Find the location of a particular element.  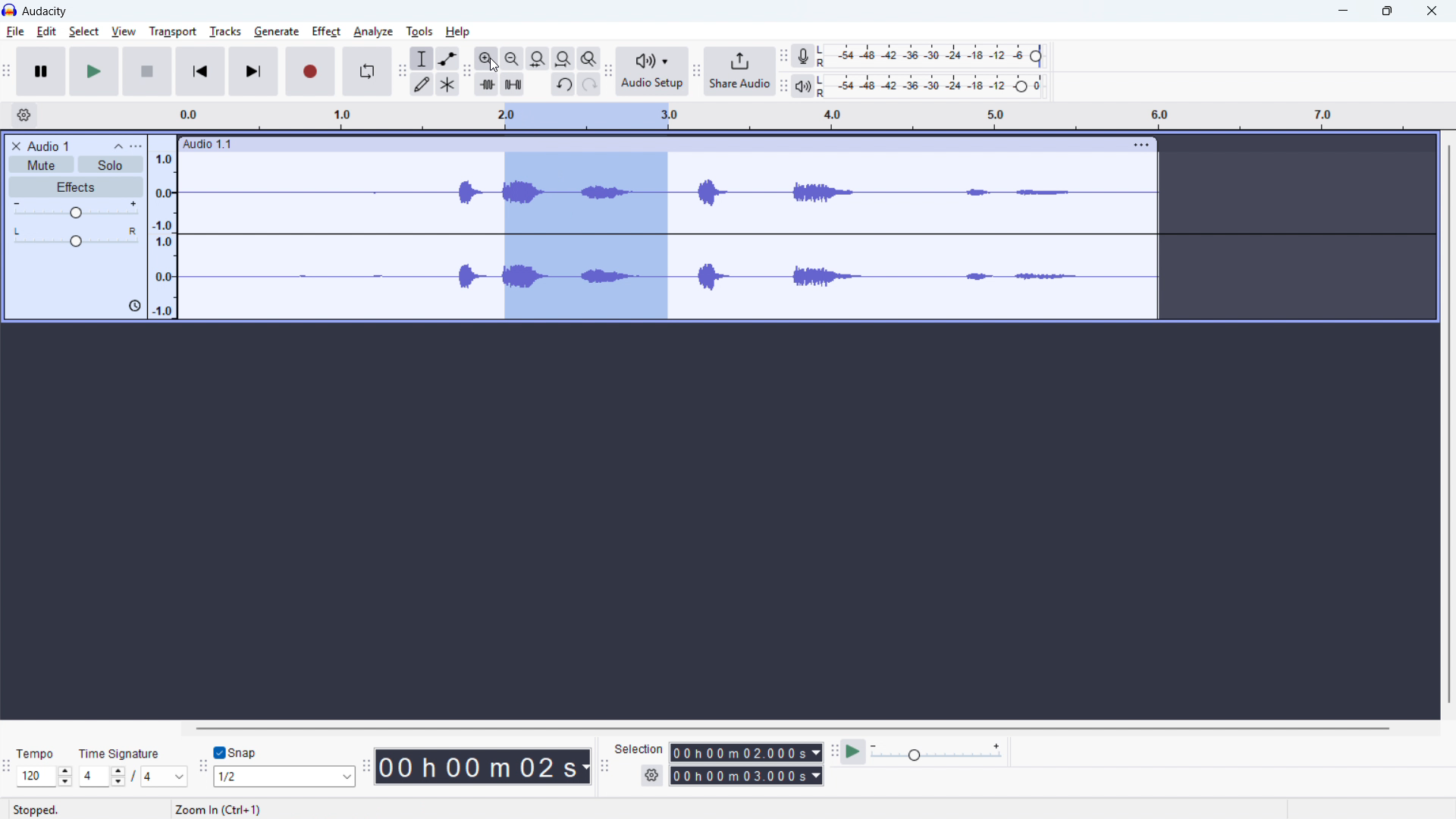

Tracks is located at coordinates (226, 31).